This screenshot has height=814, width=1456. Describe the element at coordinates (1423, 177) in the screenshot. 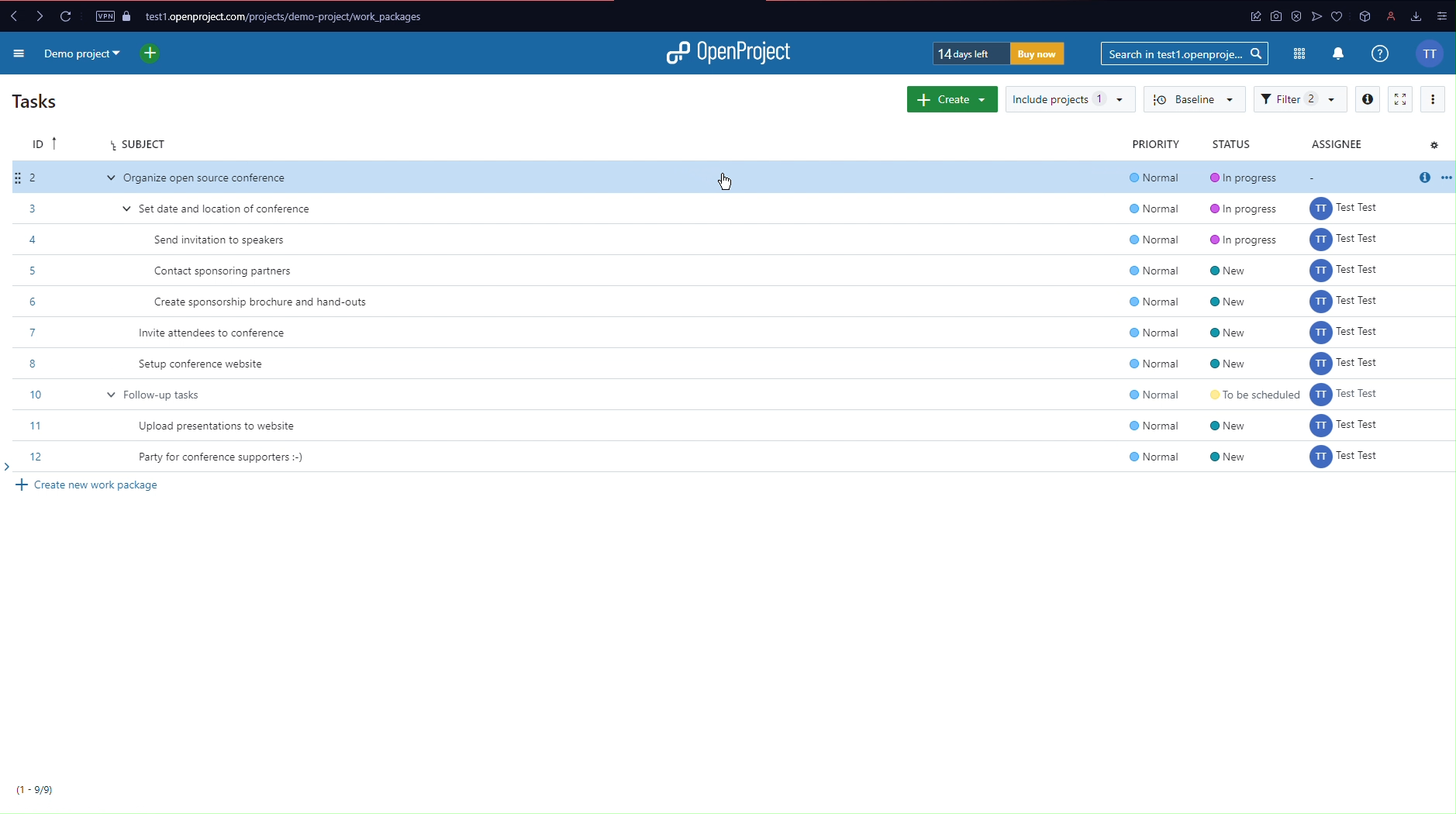

I see `info` at that location.